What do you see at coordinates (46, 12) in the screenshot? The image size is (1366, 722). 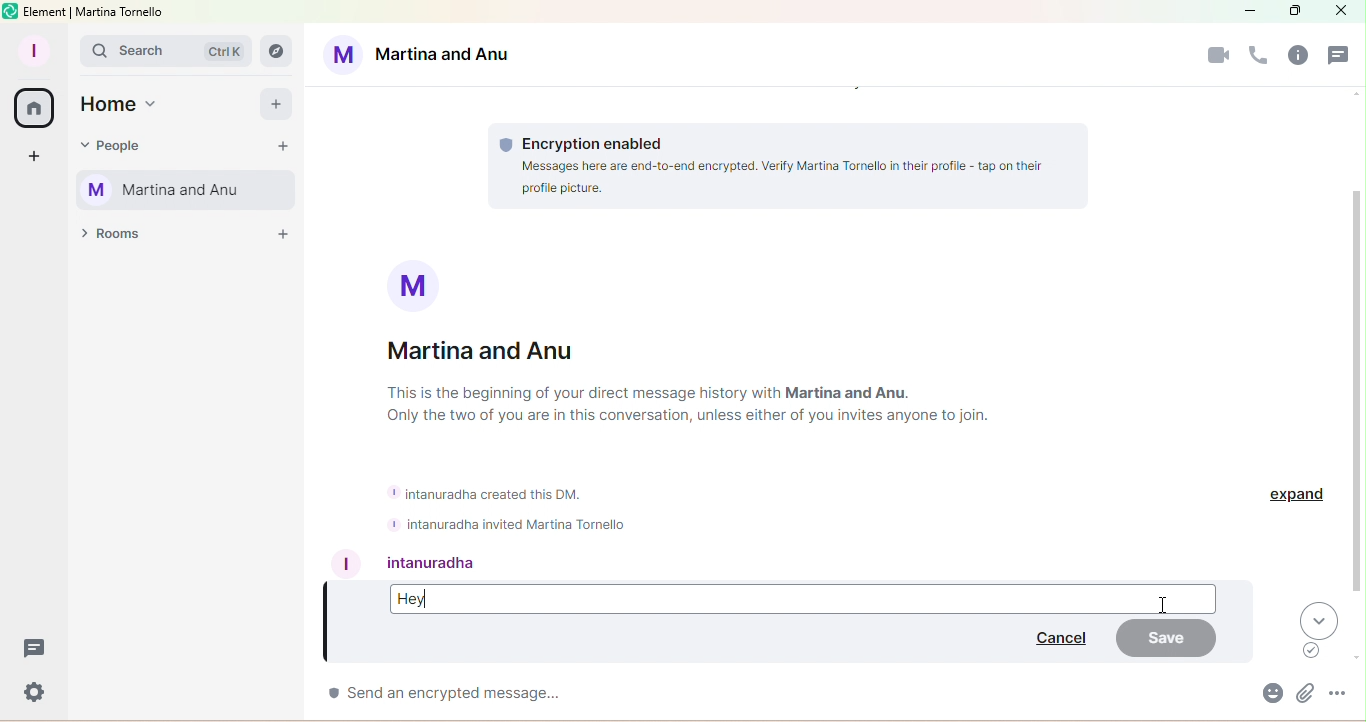 I see `element` at bounding box center [46, 12].